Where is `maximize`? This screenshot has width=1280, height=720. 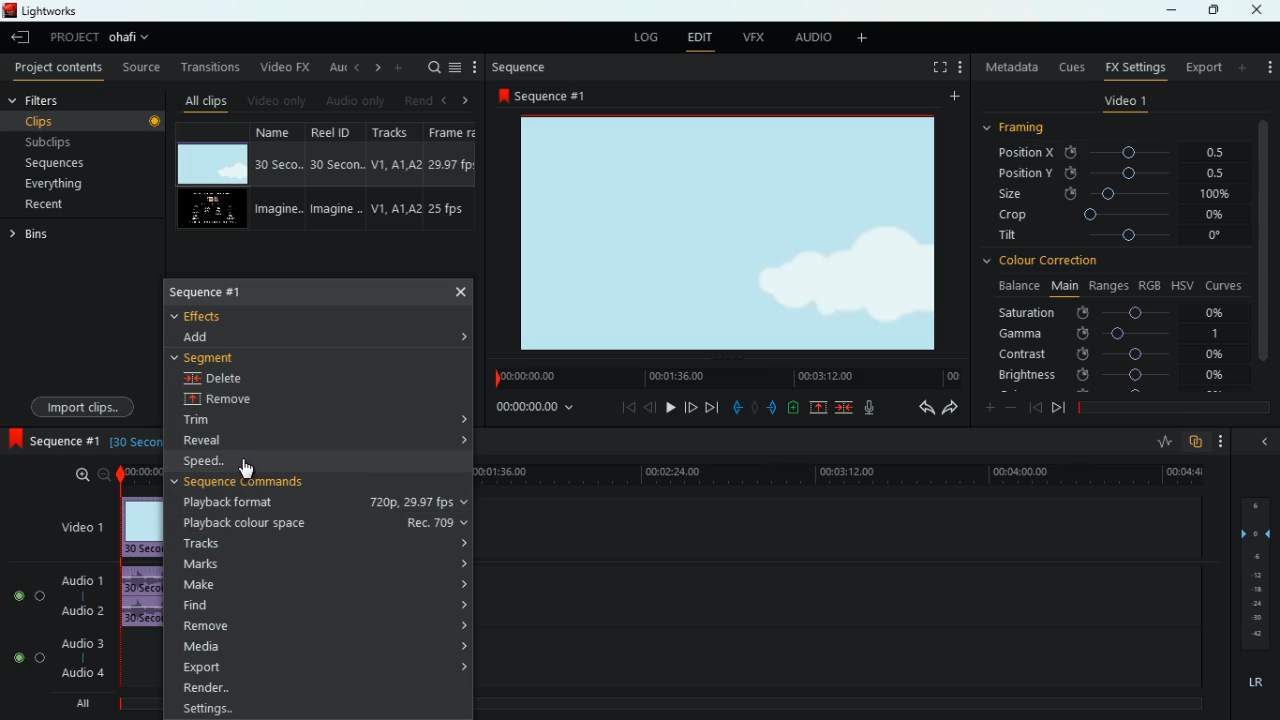
maximize is located at coordinates (1210, 11).